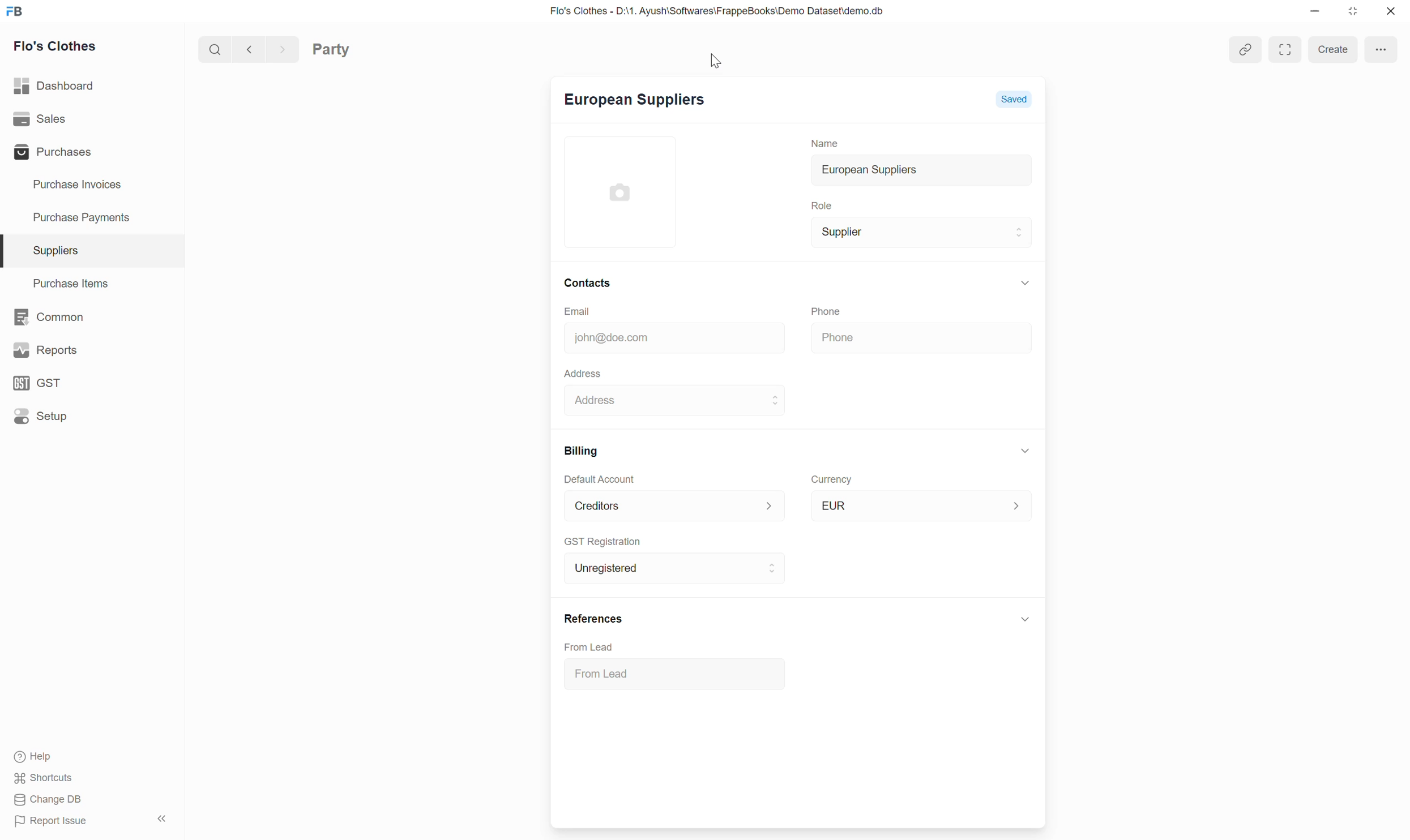 The image size is (1410, 840). Describe the element at coordinates (597, 646) in the screenshot. I see `From Lead` at that location.